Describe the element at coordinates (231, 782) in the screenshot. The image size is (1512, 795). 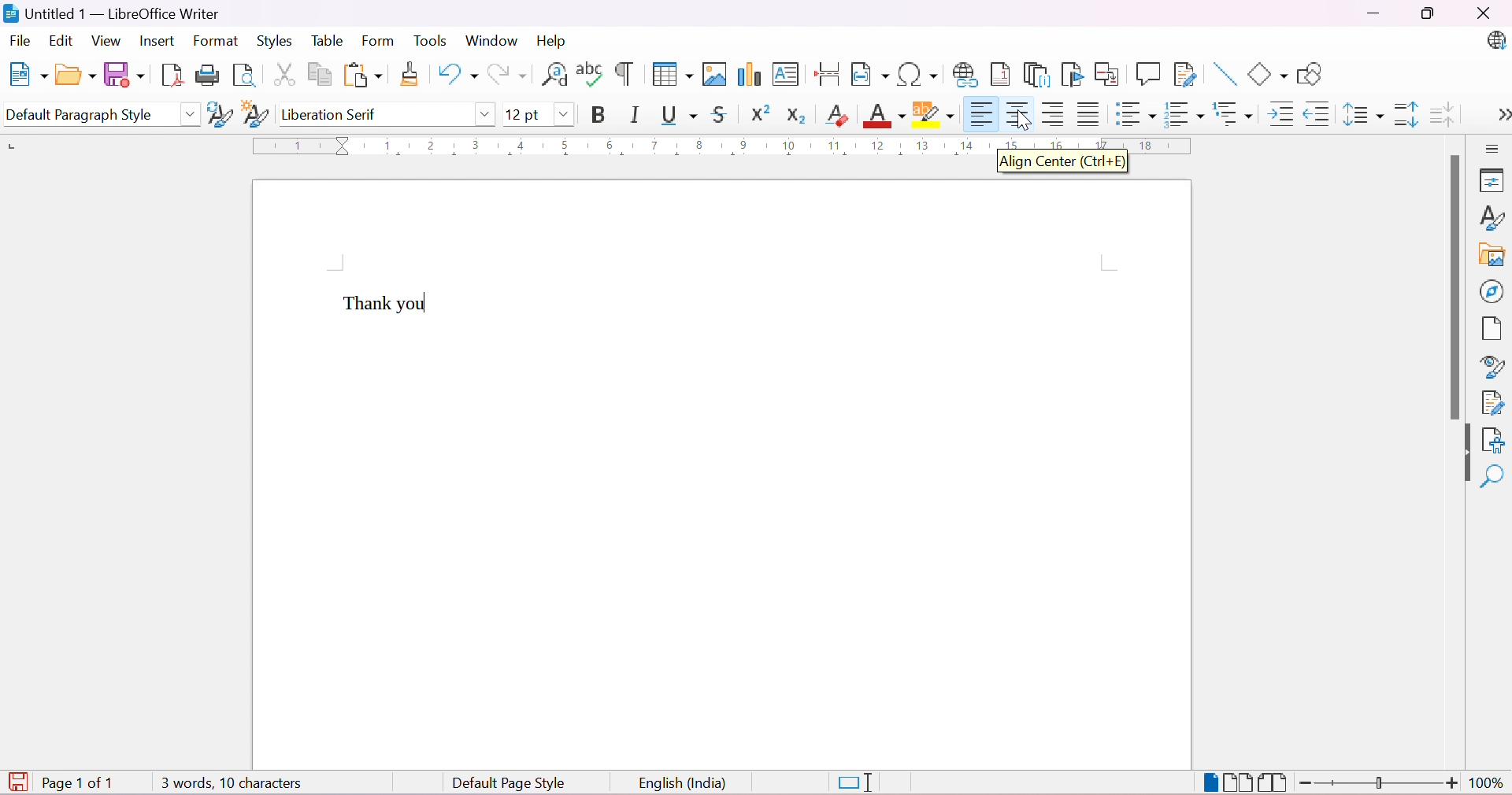
I see `3 words, 10 characters` at that location.